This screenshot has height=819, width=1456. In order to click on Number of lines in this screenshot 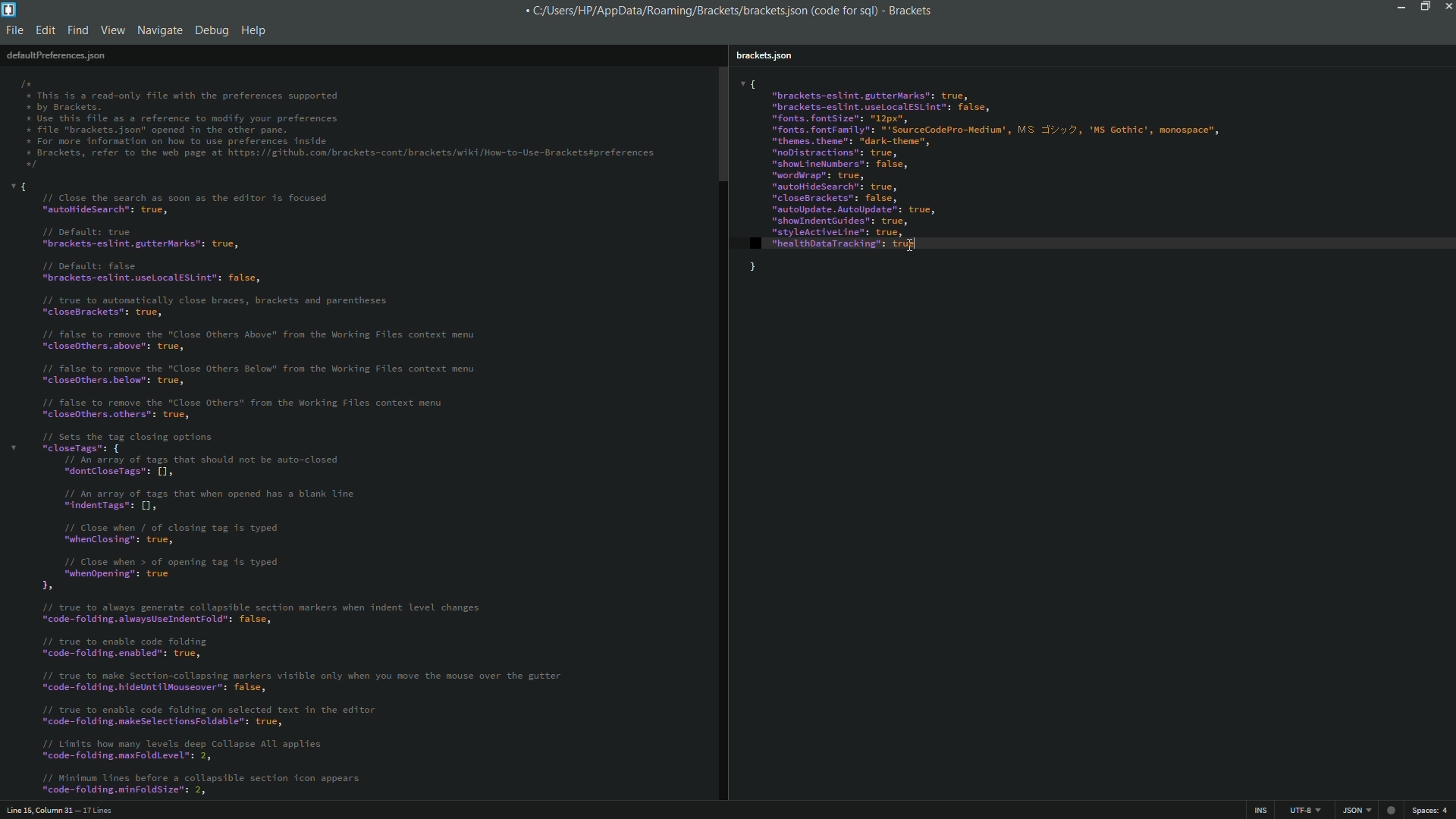, I will do `click(176, 810)`.